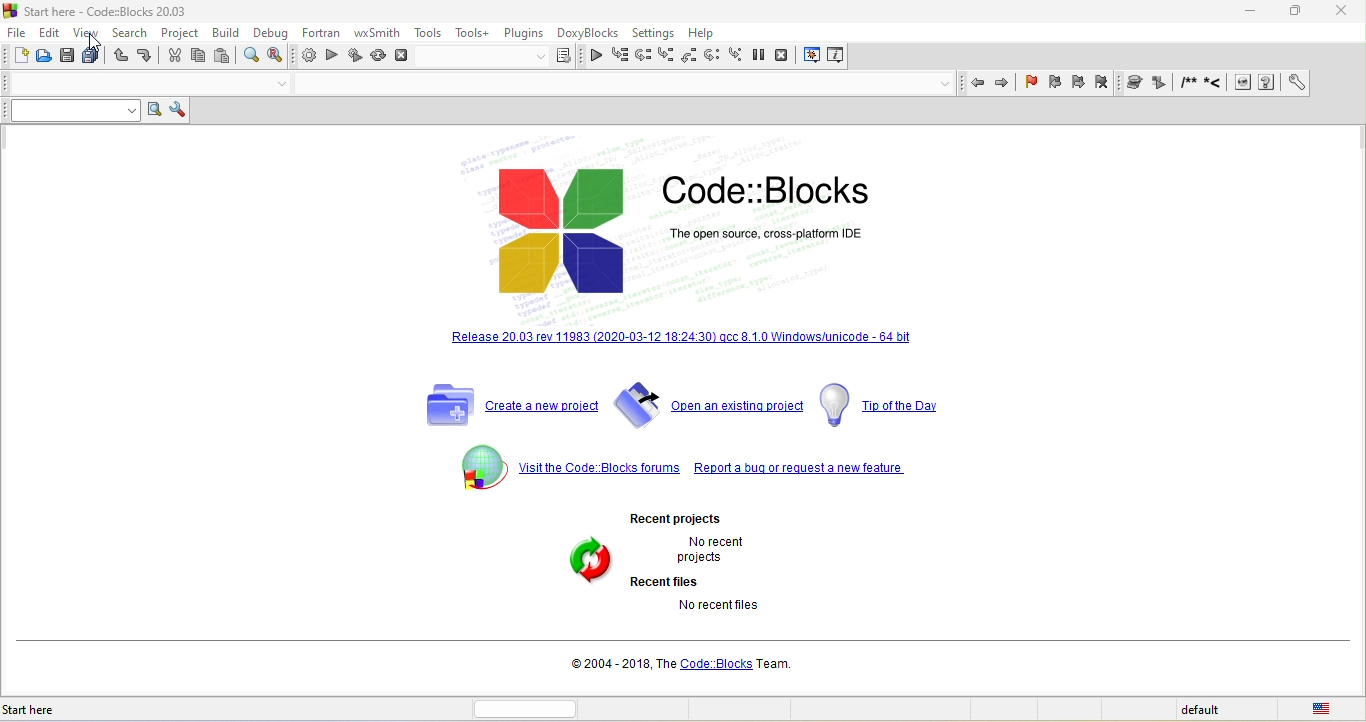  I want to click on extract documentation, so click(1162, 84).